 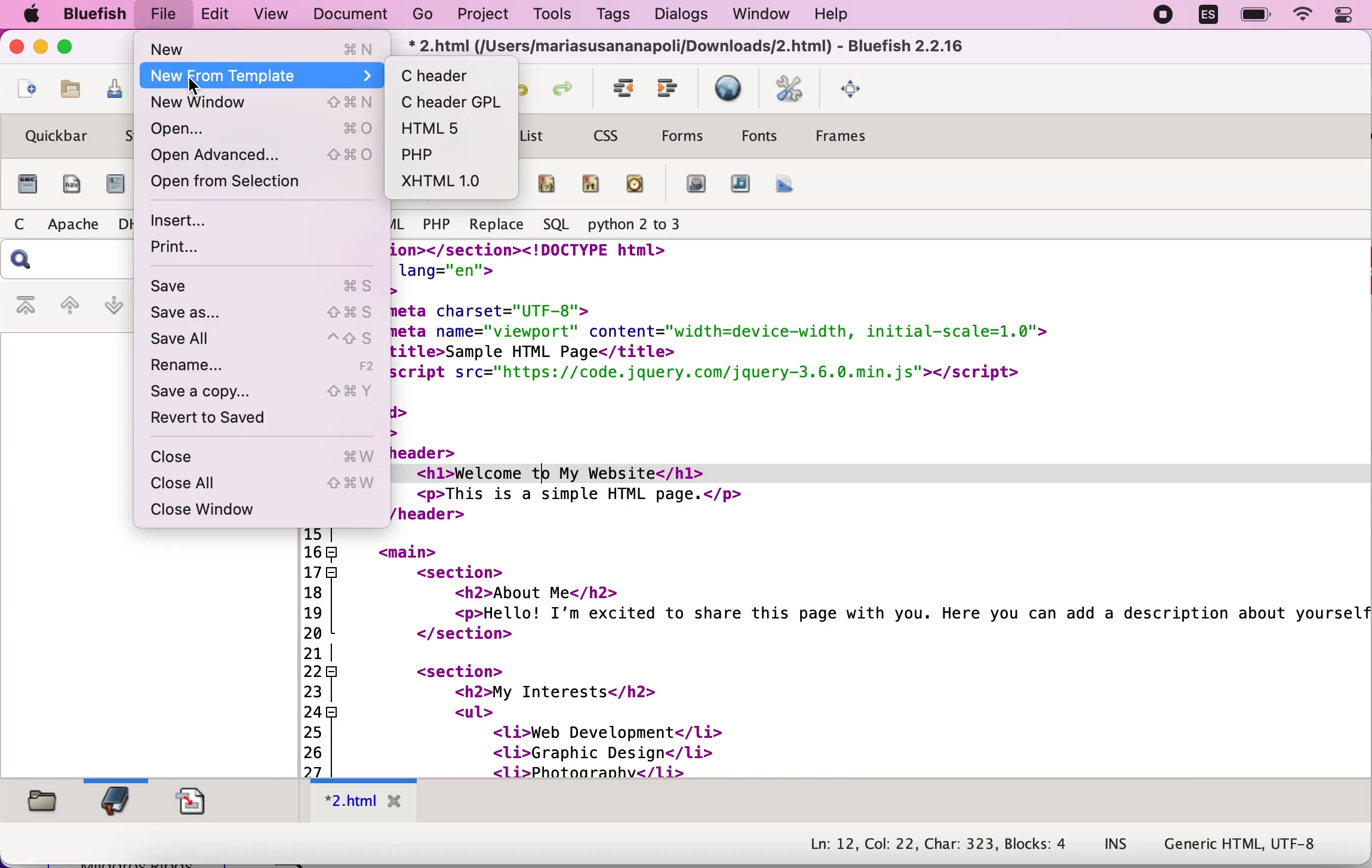 What do you see at coordinates (263, 105) in the screenshot?
I see `new window` at bounding box center [263, 105].